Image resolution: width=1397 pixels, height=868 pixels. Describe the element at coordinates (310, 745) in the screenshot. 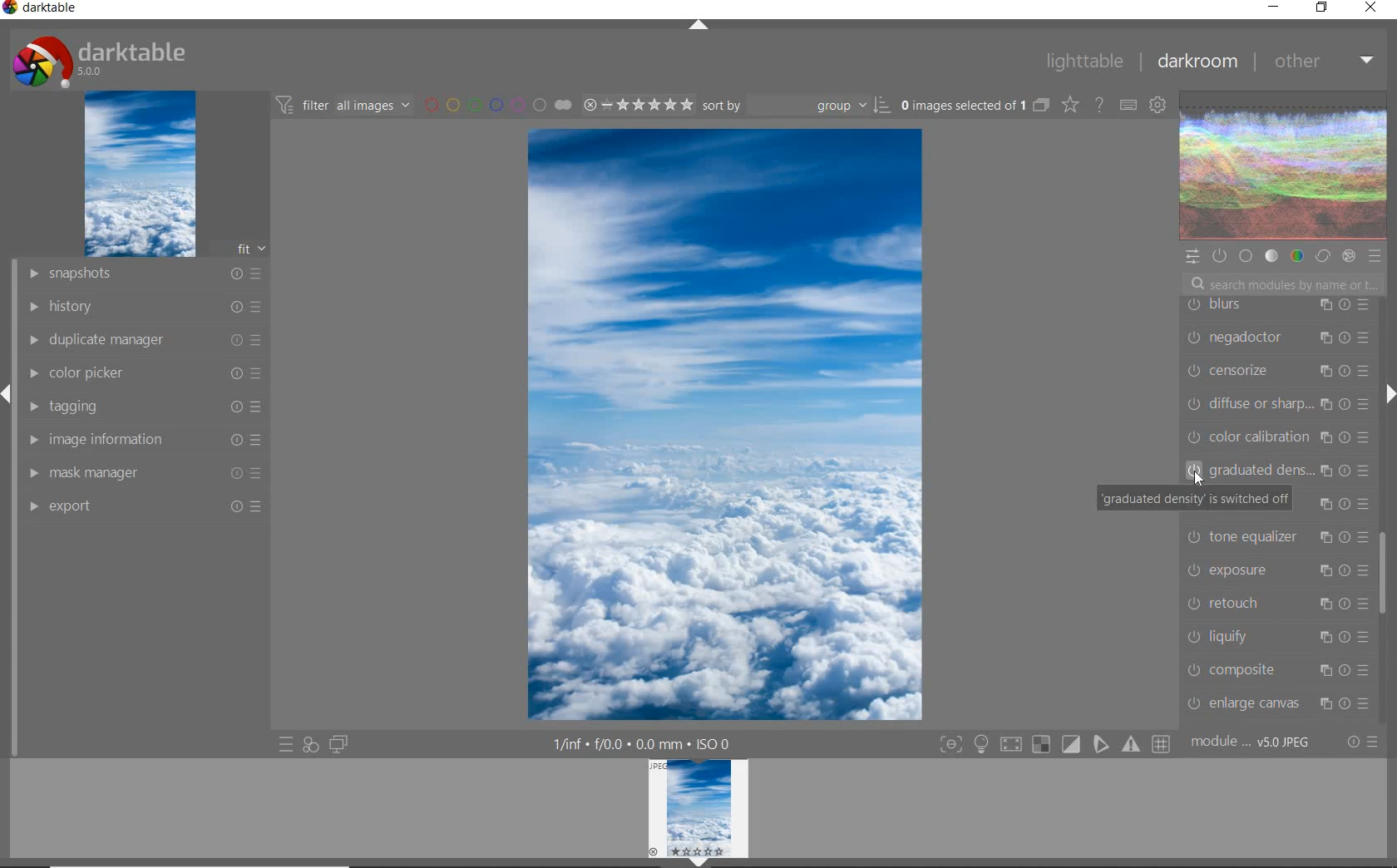

I see `QUICK ACCESS FOR APLYING ANY OF YOUR STYLES` at that location.